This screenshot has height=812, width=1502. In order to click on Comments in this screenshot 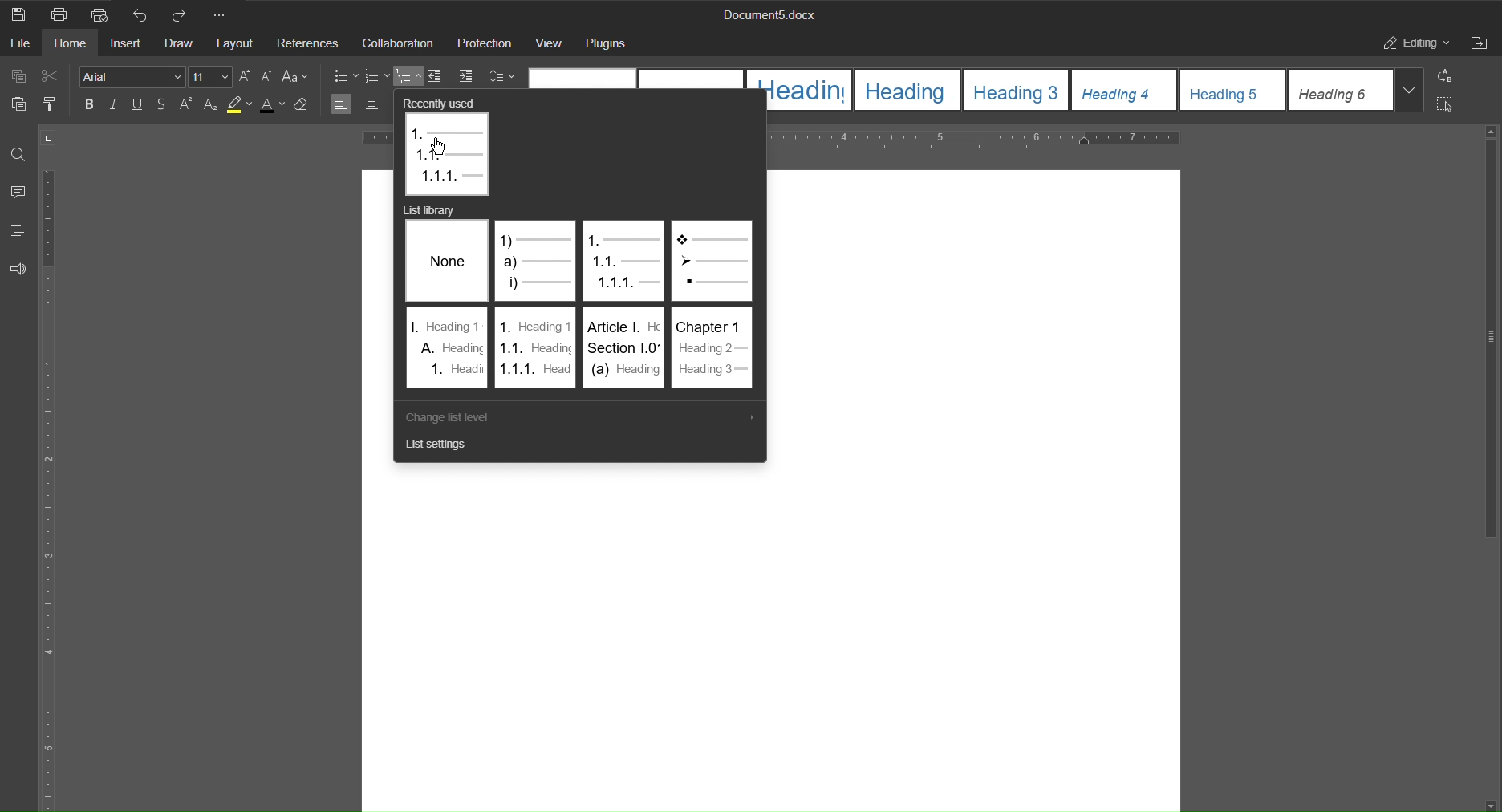, I will do `click(20, 194)`.